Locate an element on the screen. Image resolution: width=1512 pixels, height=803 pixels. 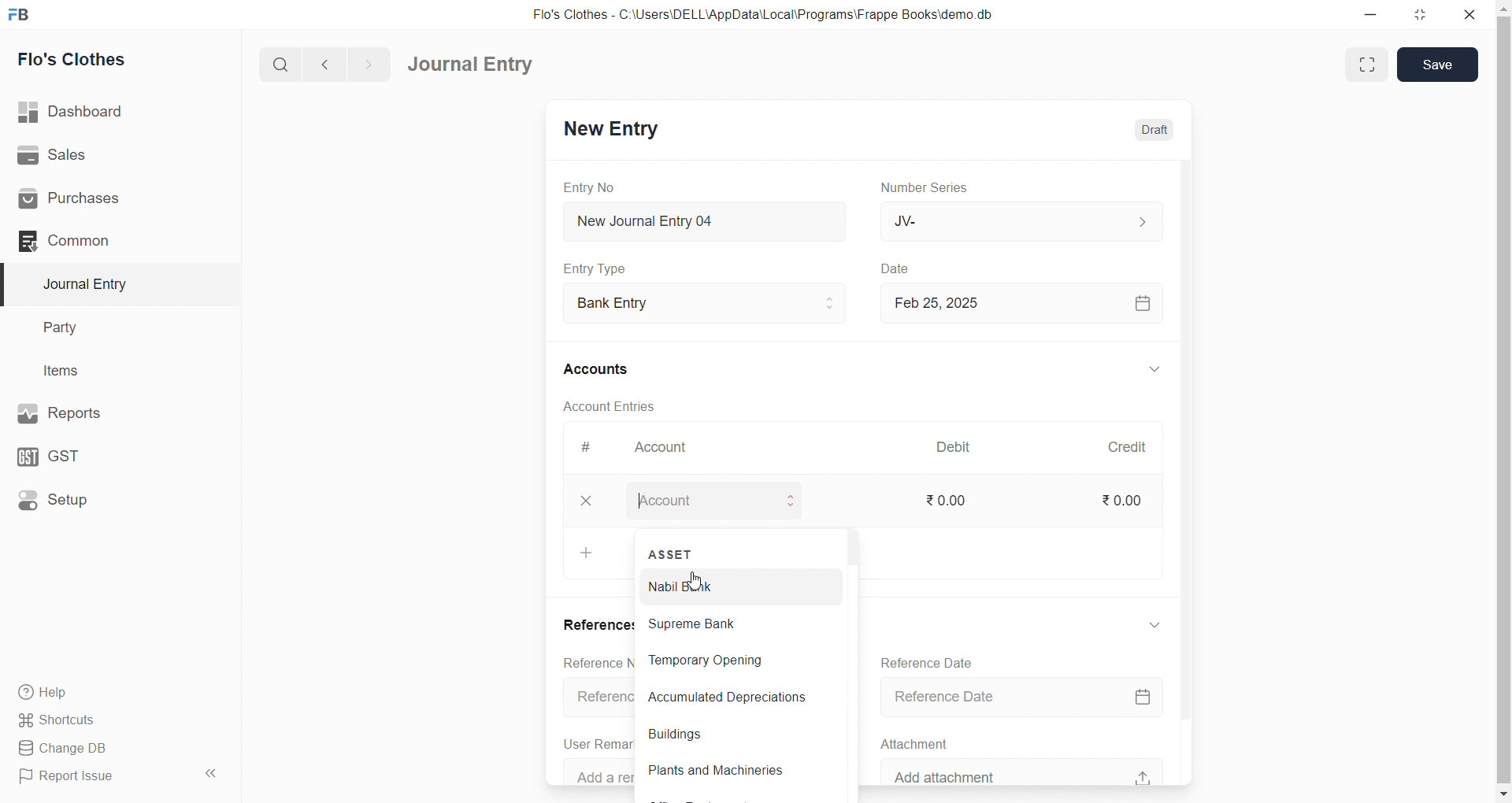
Reference Date is located at coordinates (931, 661).